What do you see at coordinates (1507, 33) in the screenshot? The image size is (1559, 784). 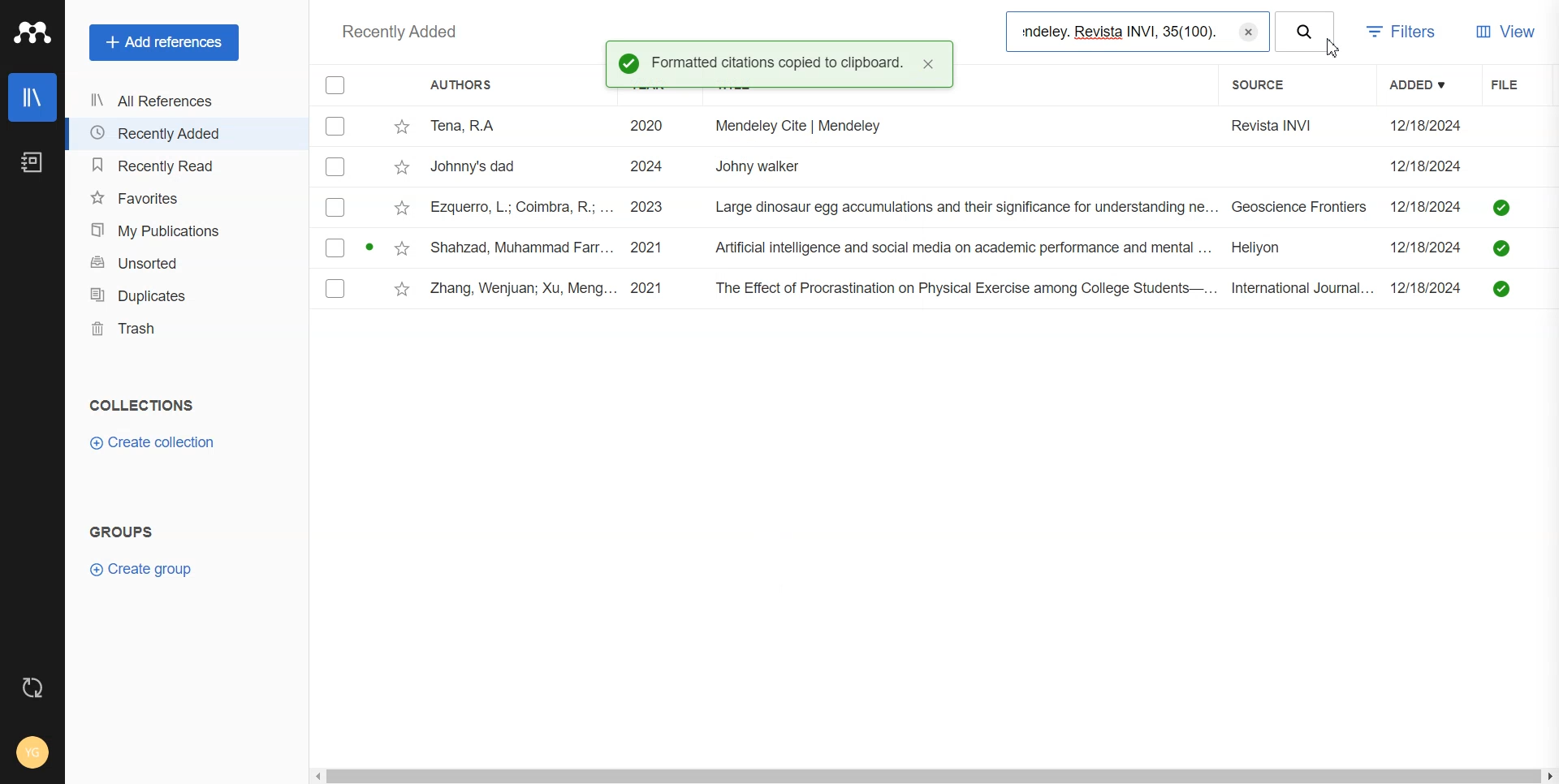 I see `View` at bounding box center [1507, 33].